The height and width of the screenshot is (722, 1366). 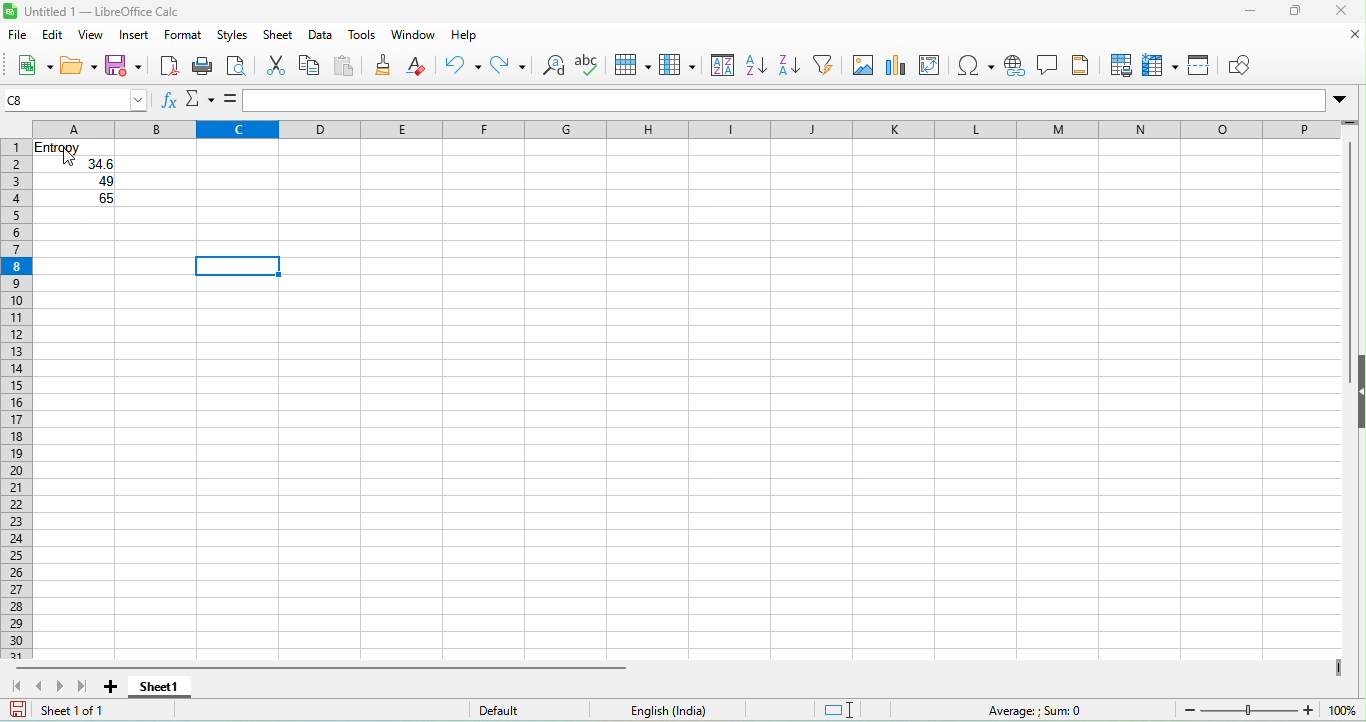 I want to click on sort, so click(x=718, y=65).